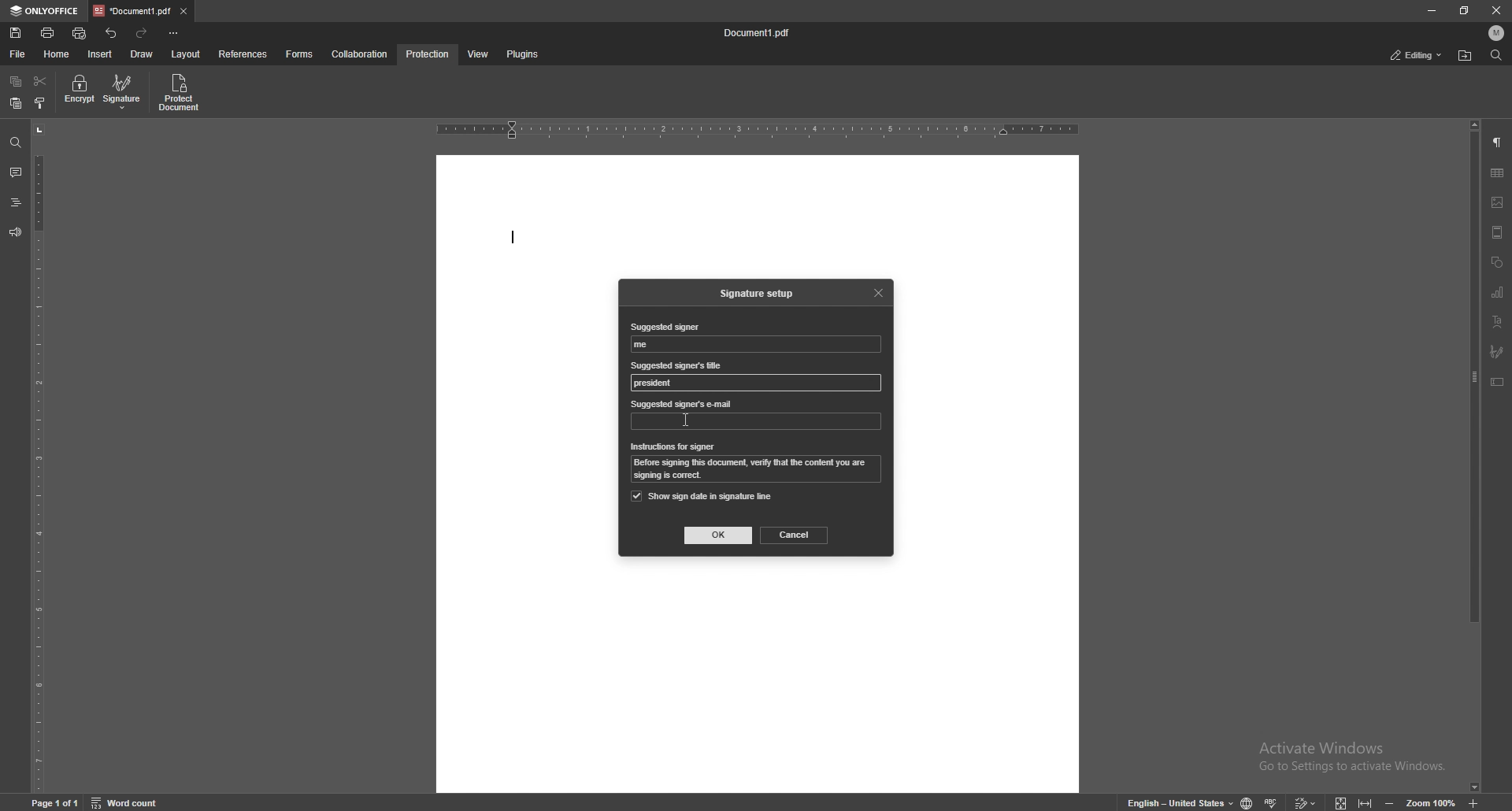 This screenshot has width=1512, height=811. Describe the element at coordinates (428, 54) in the screenshot. I see `protection` at that location.